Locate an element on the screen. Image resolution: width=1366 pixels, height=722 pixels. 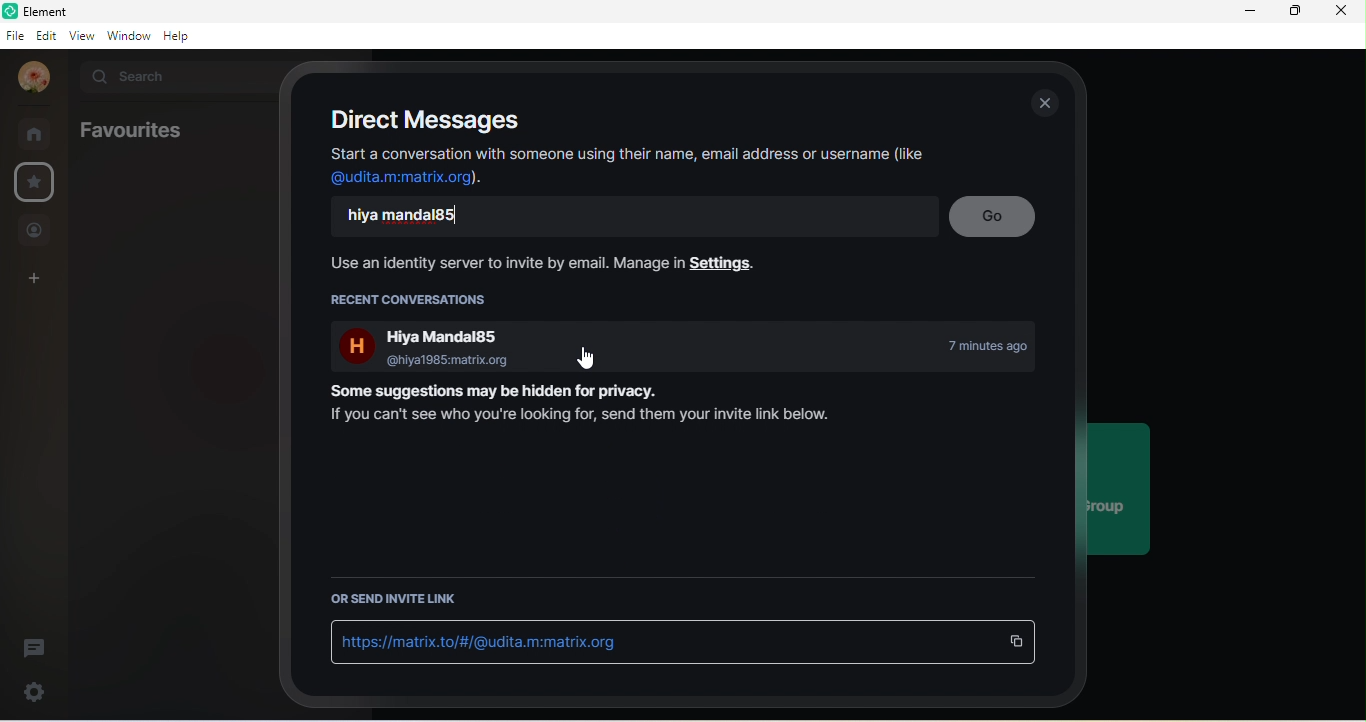
view is located at coordinates (82, 35).